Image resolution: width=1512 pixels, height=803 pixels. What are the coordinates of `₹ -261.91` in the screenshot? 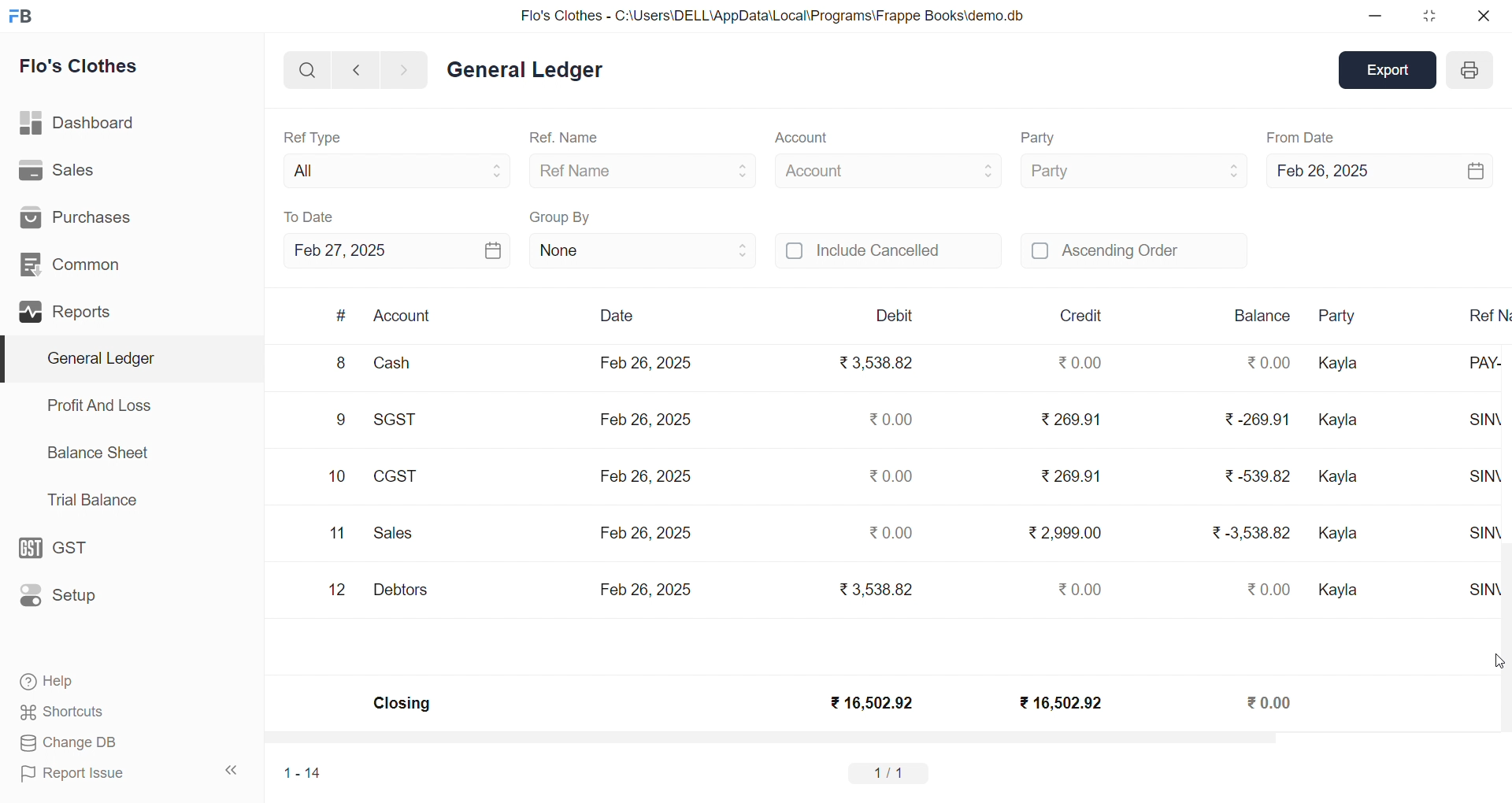 It's located at (1255, 422).